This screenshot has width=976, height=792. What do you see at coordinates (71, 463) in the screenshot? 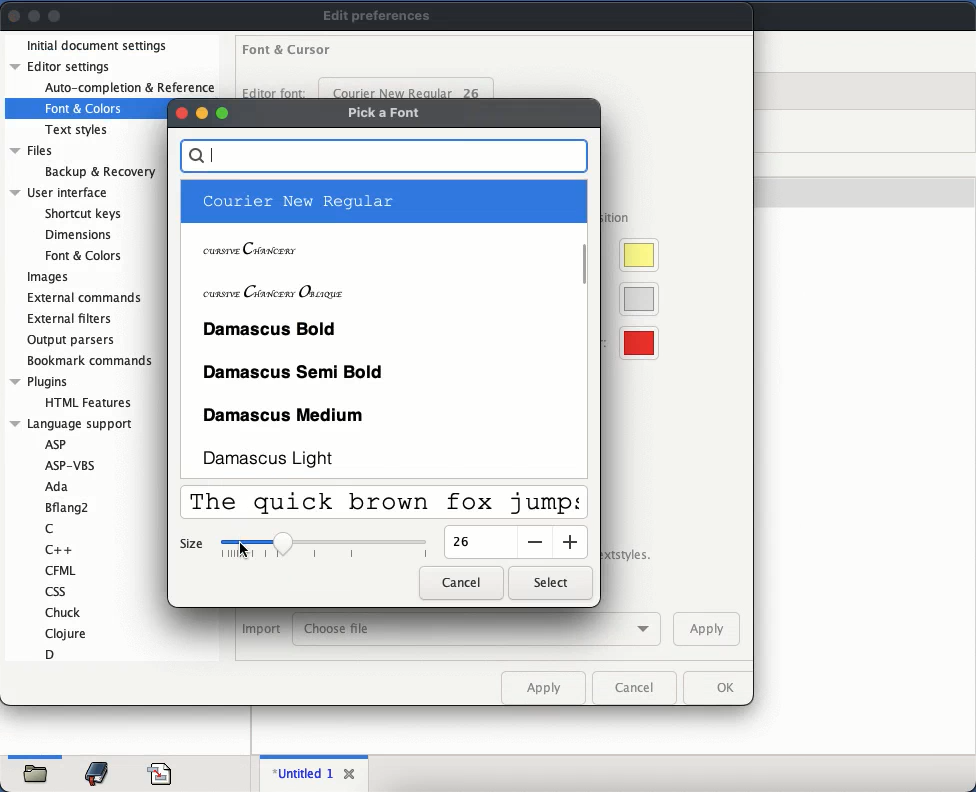
I see `ASP-VBS` at bounding box center [71, 463].